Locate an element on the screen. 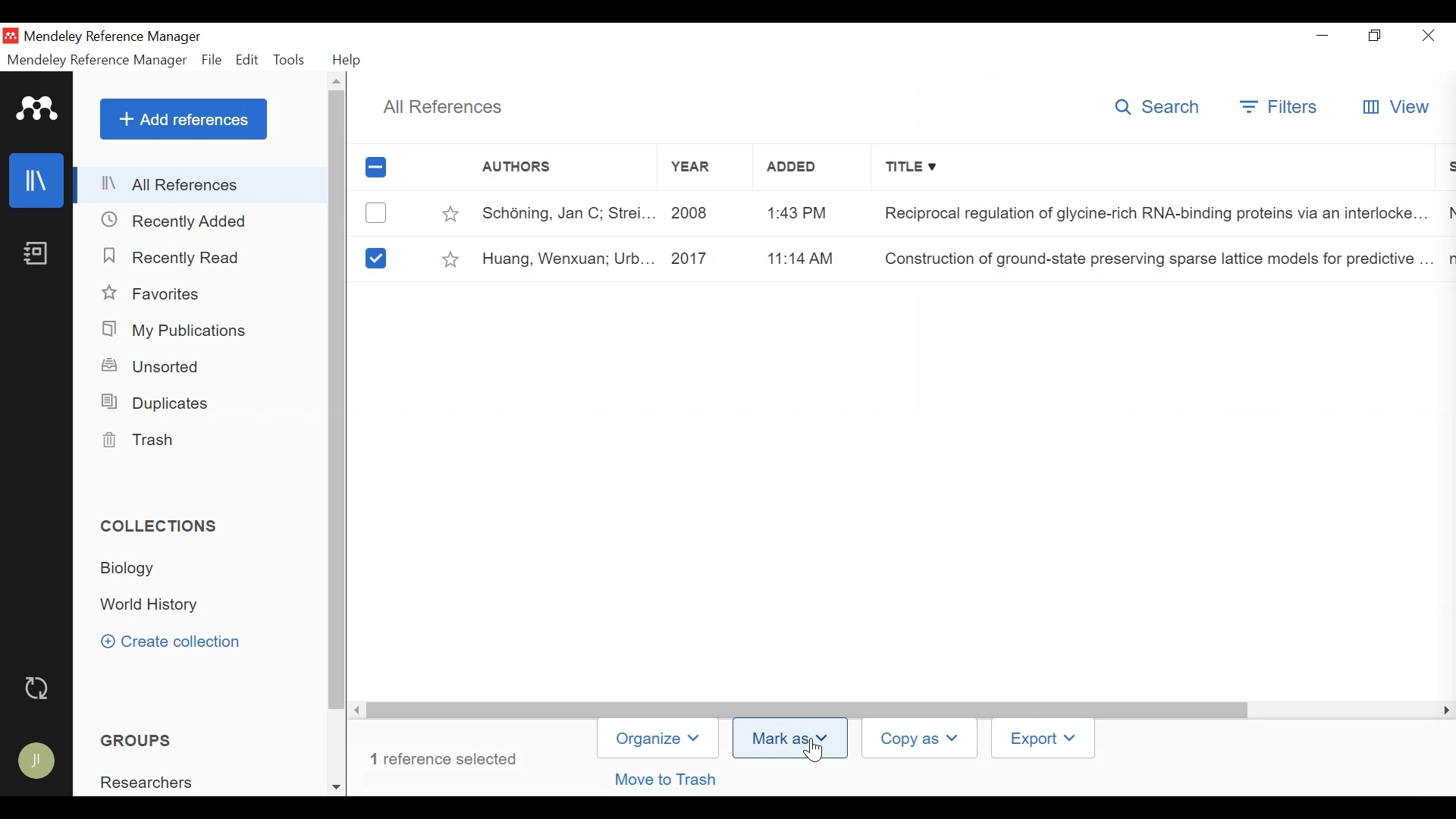  1:43 PM is located at coordinates (797, 212).